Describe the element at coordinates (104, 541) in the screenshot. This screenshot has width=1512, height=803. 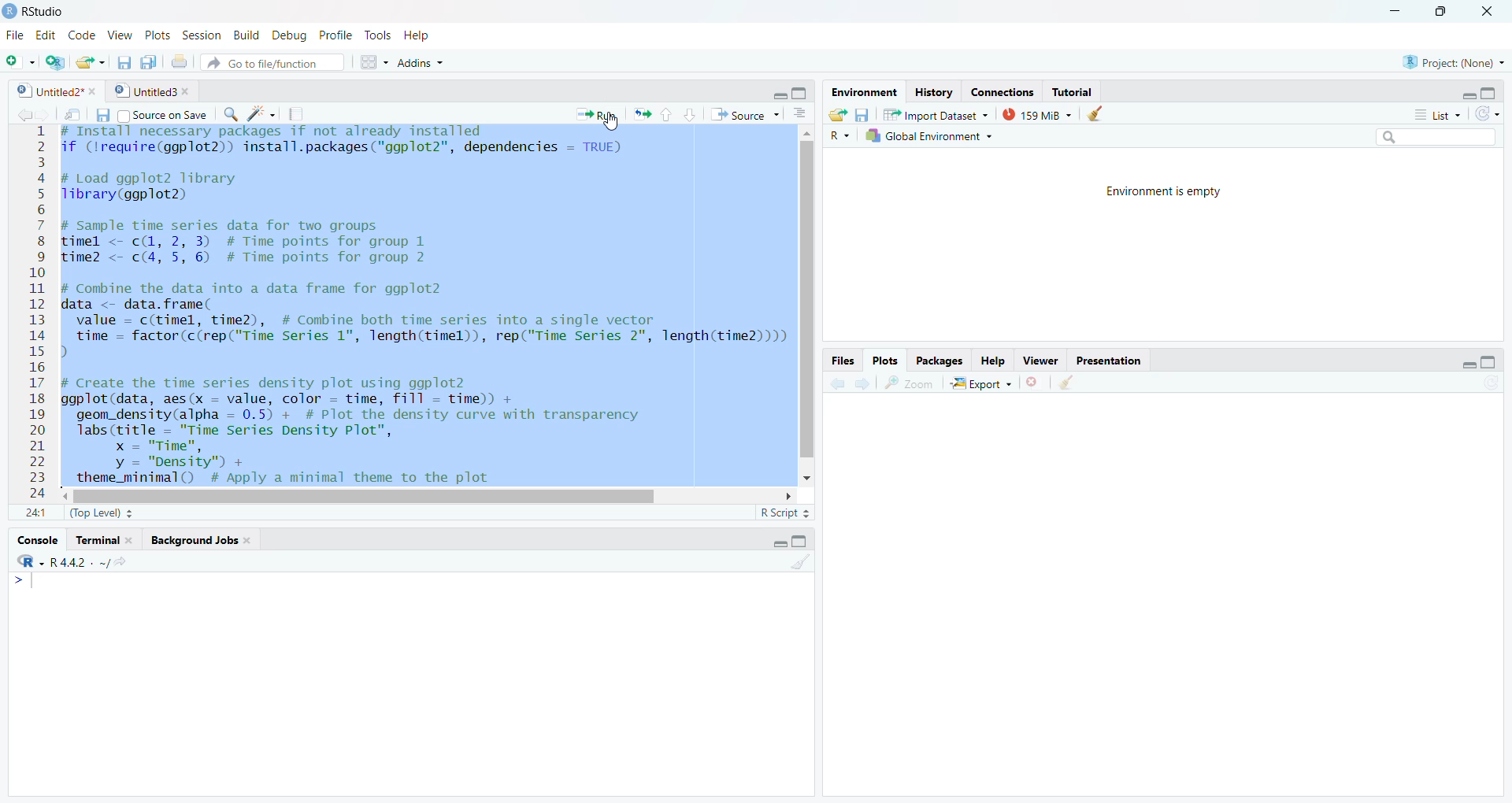
I see `Terminal` at that location.